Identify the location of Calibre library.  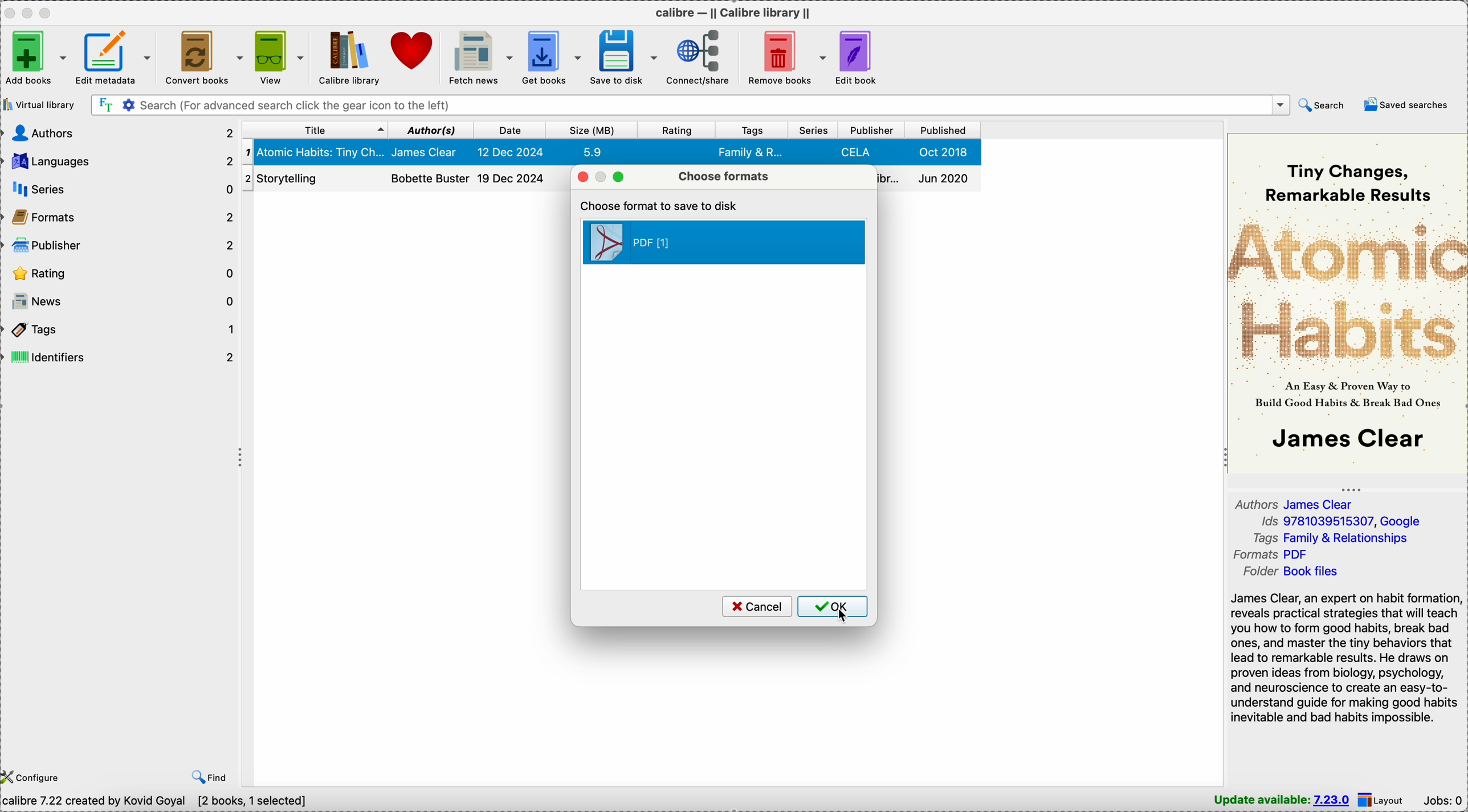
(349, 56).